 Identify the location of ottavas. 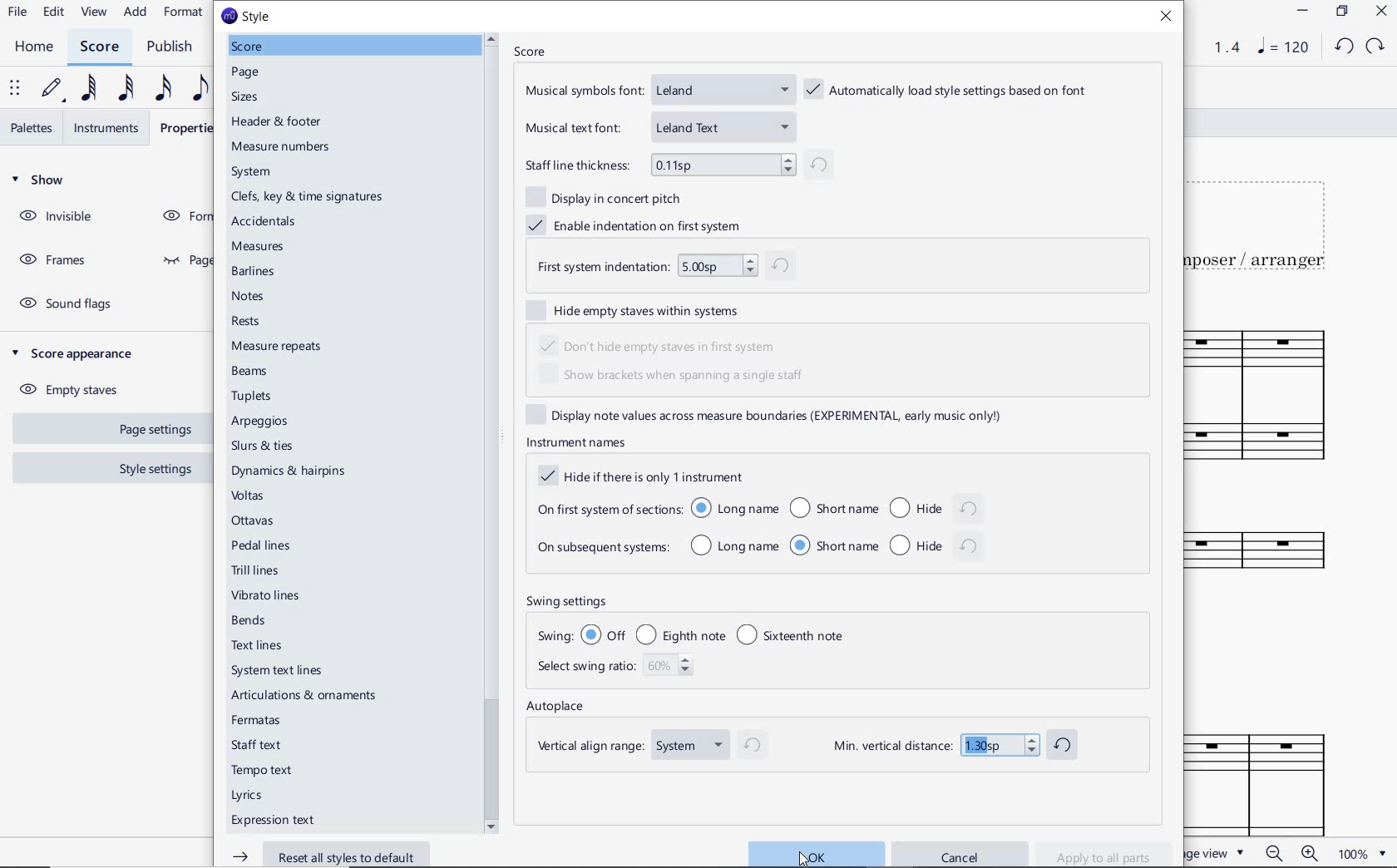
(255, 521).